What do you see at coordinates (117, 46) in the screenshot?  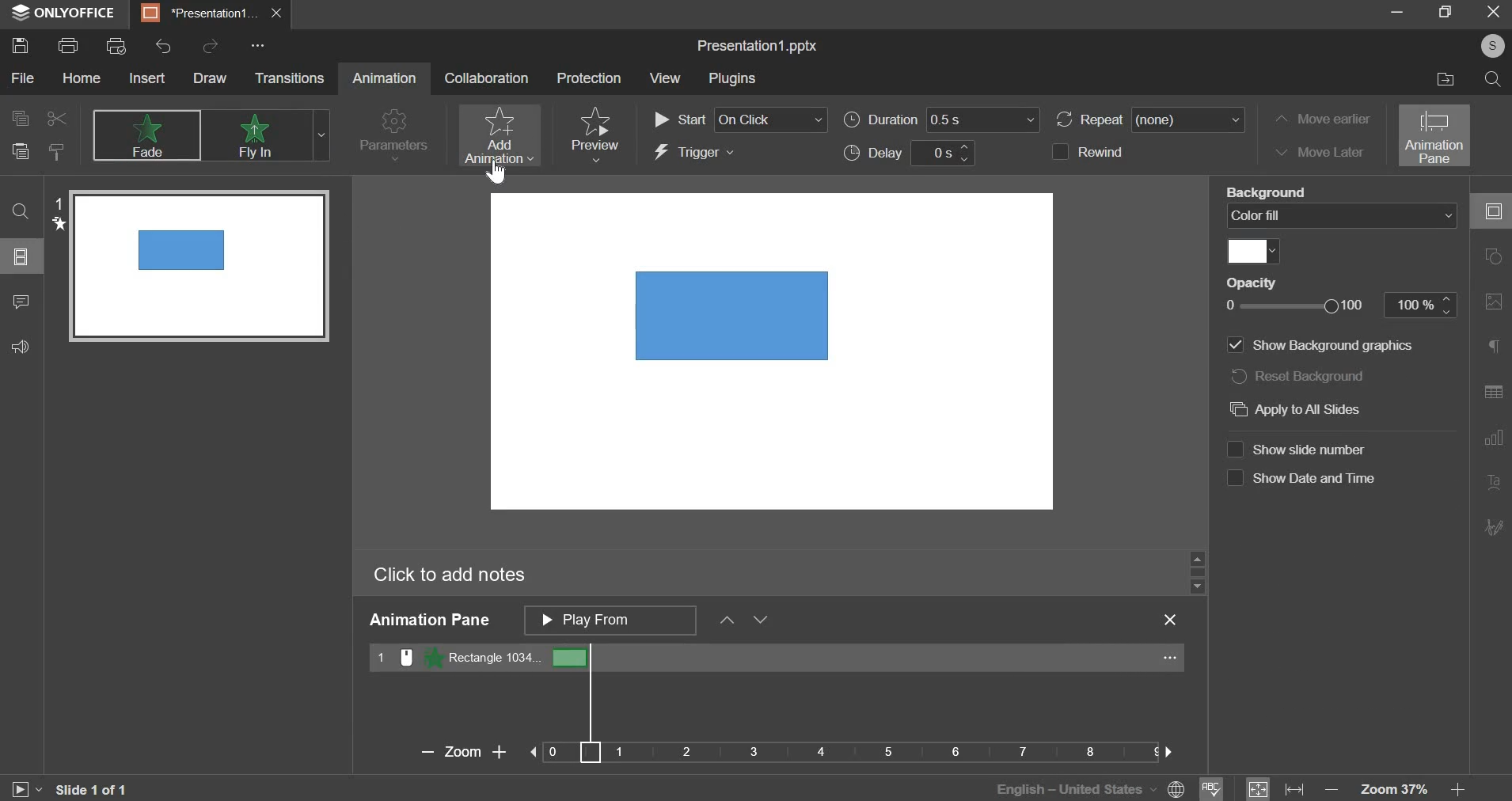 I see `print preview` at bounding box center [117, 46].